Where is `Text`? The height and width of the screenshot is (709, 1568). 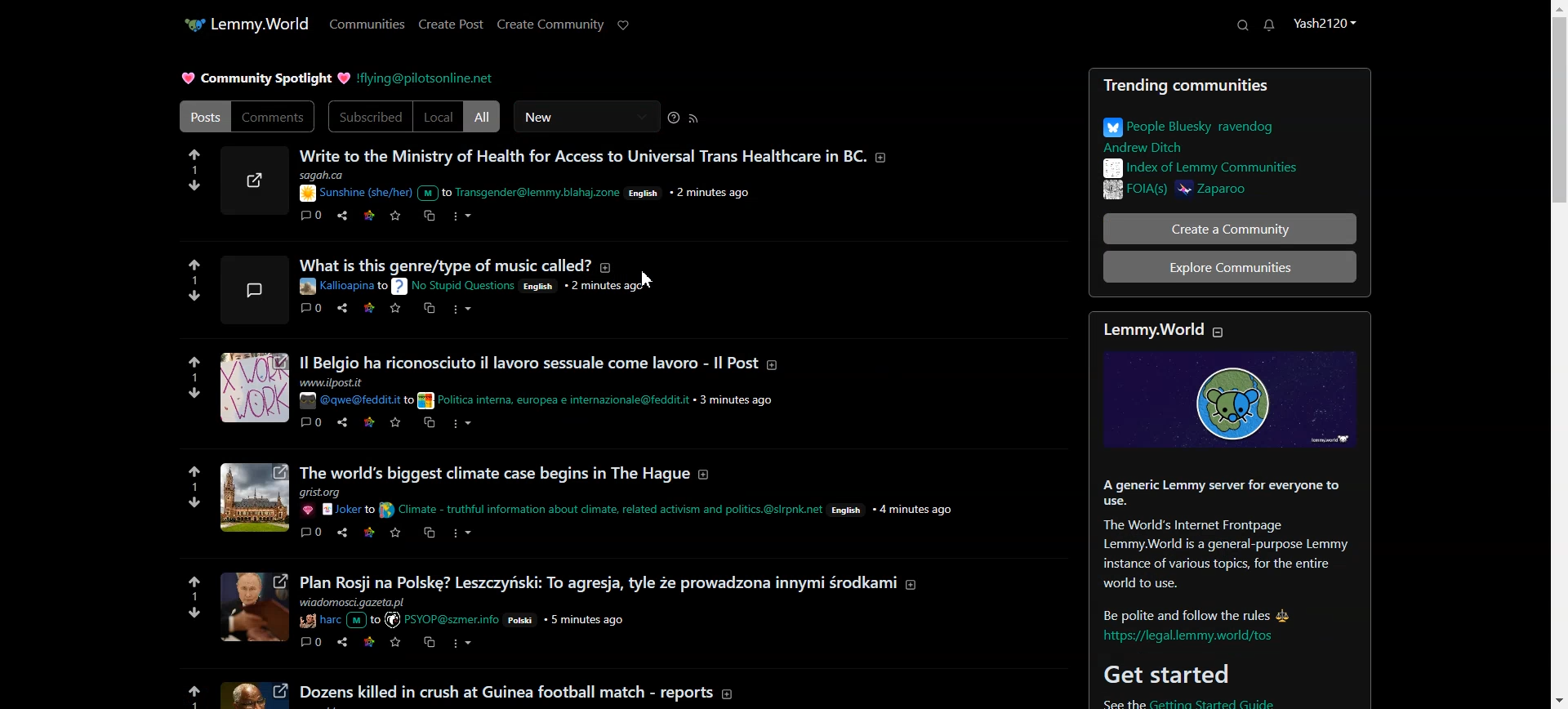 Text is located at coordinates (1219, 135).